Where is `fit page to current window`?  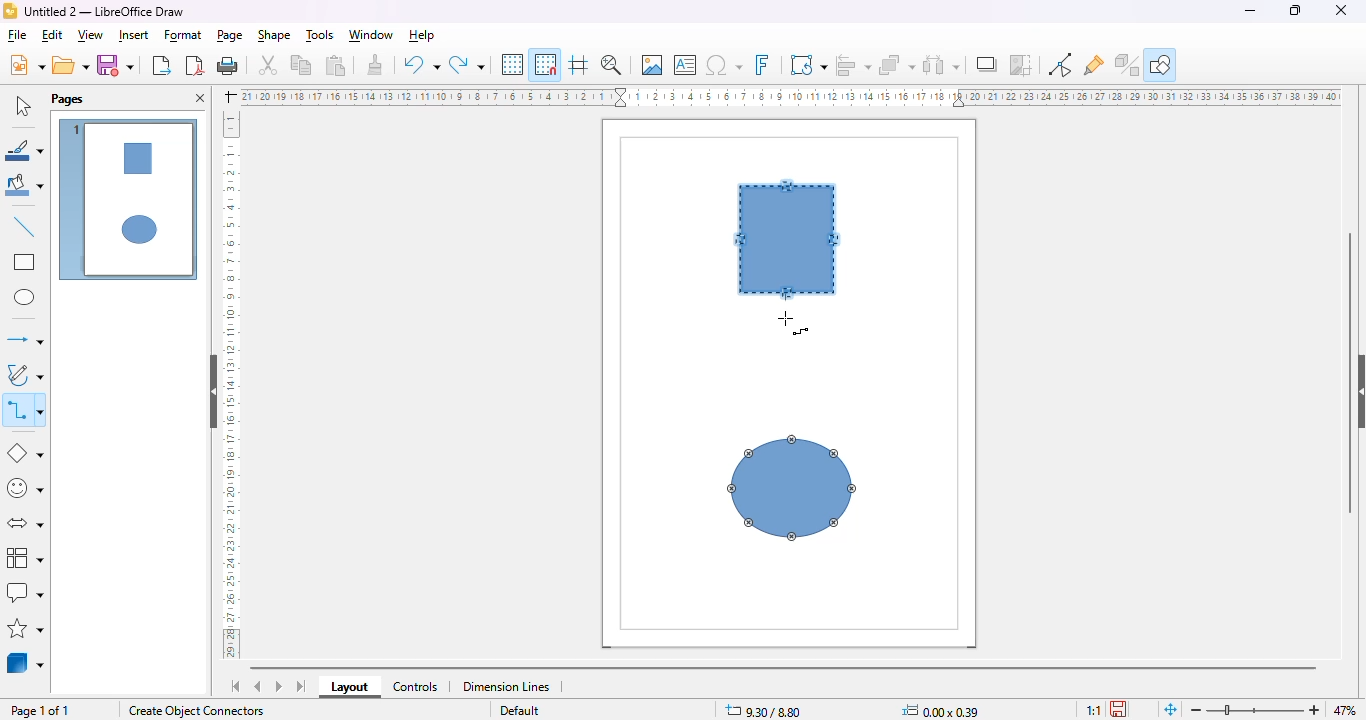 fit page to current window is located at coordinates (1170, 709).